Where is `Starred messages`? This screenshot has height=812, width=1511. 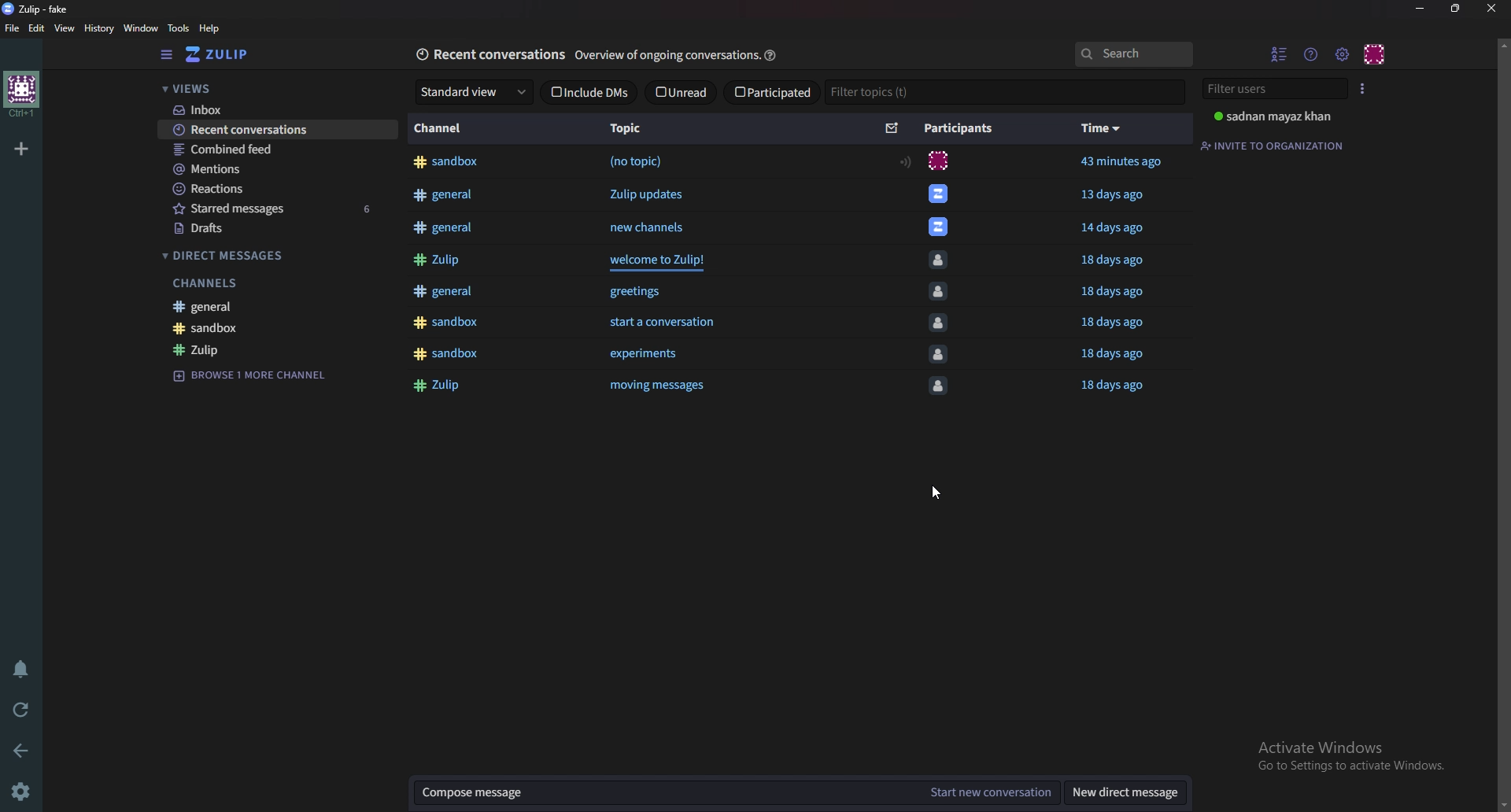 Starred messages is located at coordinates (283, 209).